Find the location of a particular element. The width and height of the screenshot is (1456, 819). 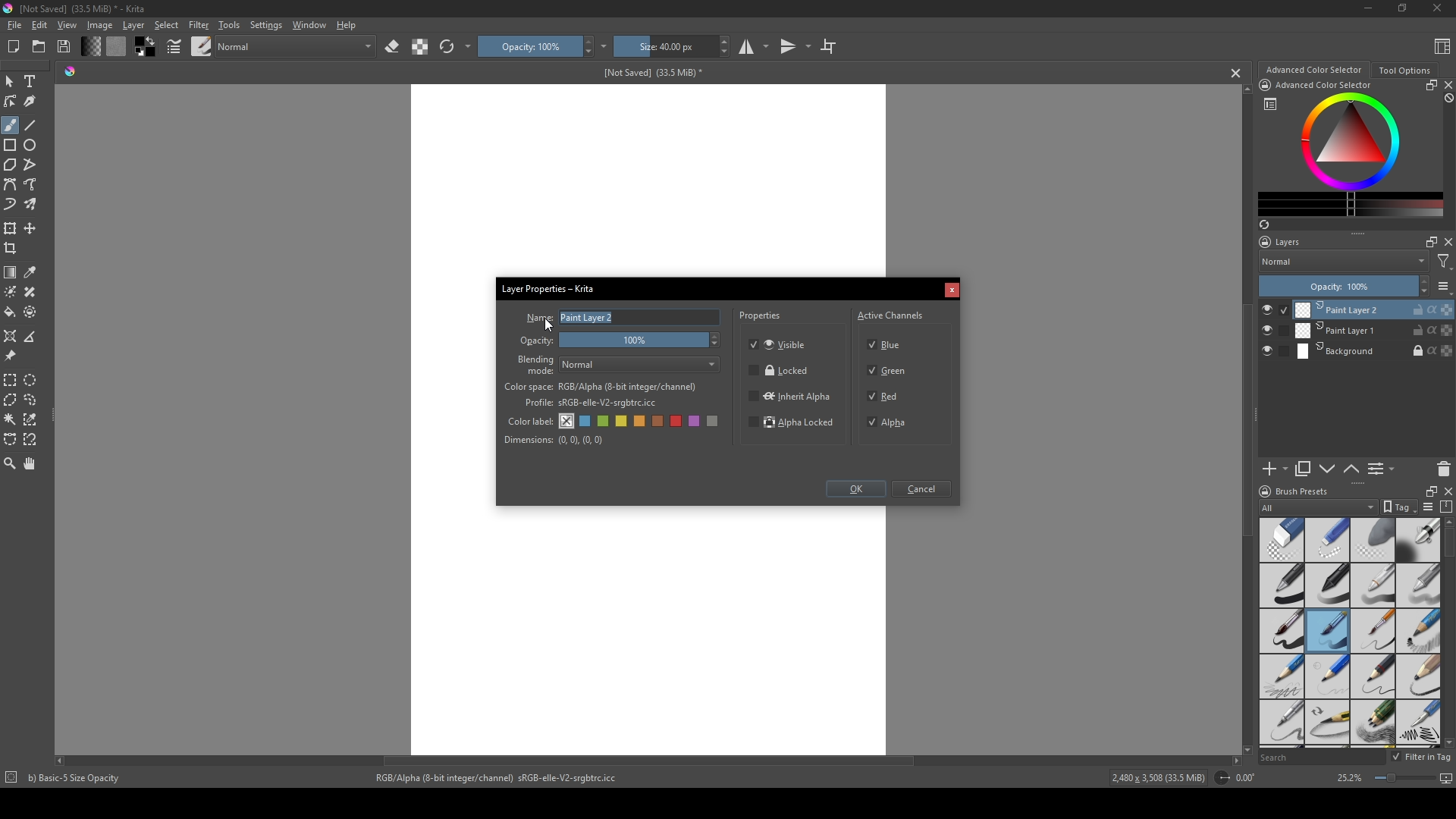

pen is located at coordinates (1281, 586).